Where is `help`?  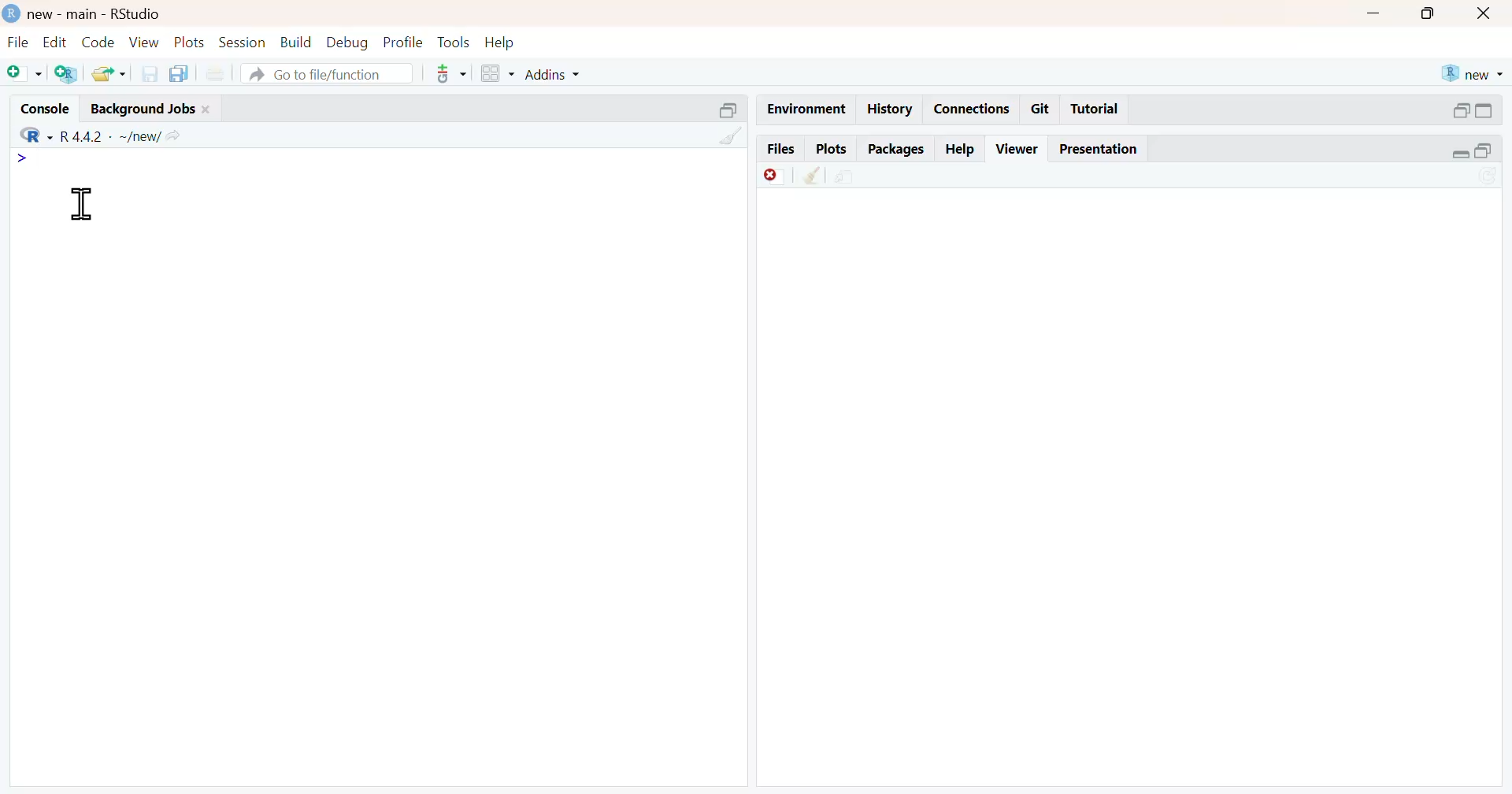 help is located at coordinates (498, 42).